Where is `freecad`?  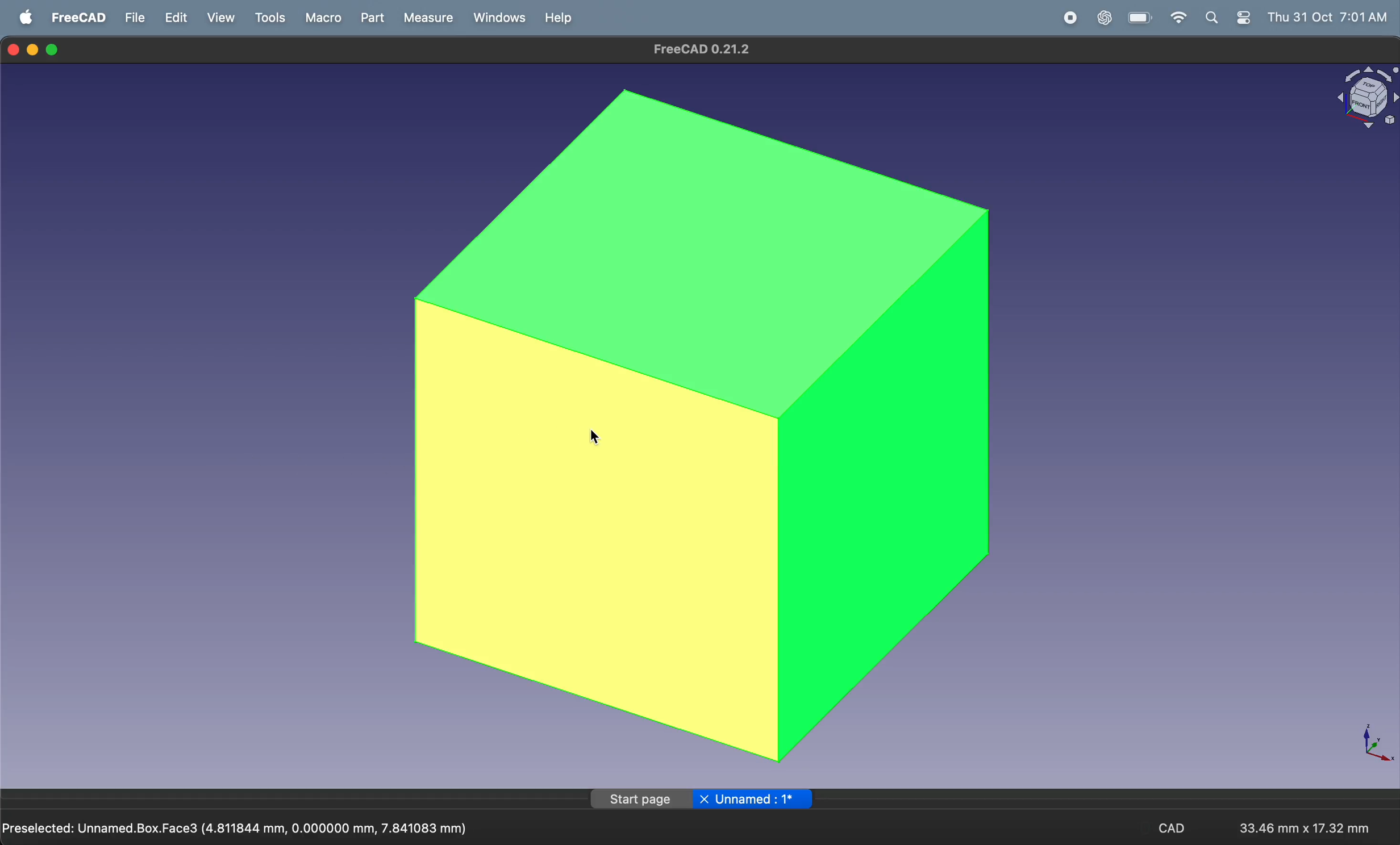
freecad is located at coordinates (77, 18).